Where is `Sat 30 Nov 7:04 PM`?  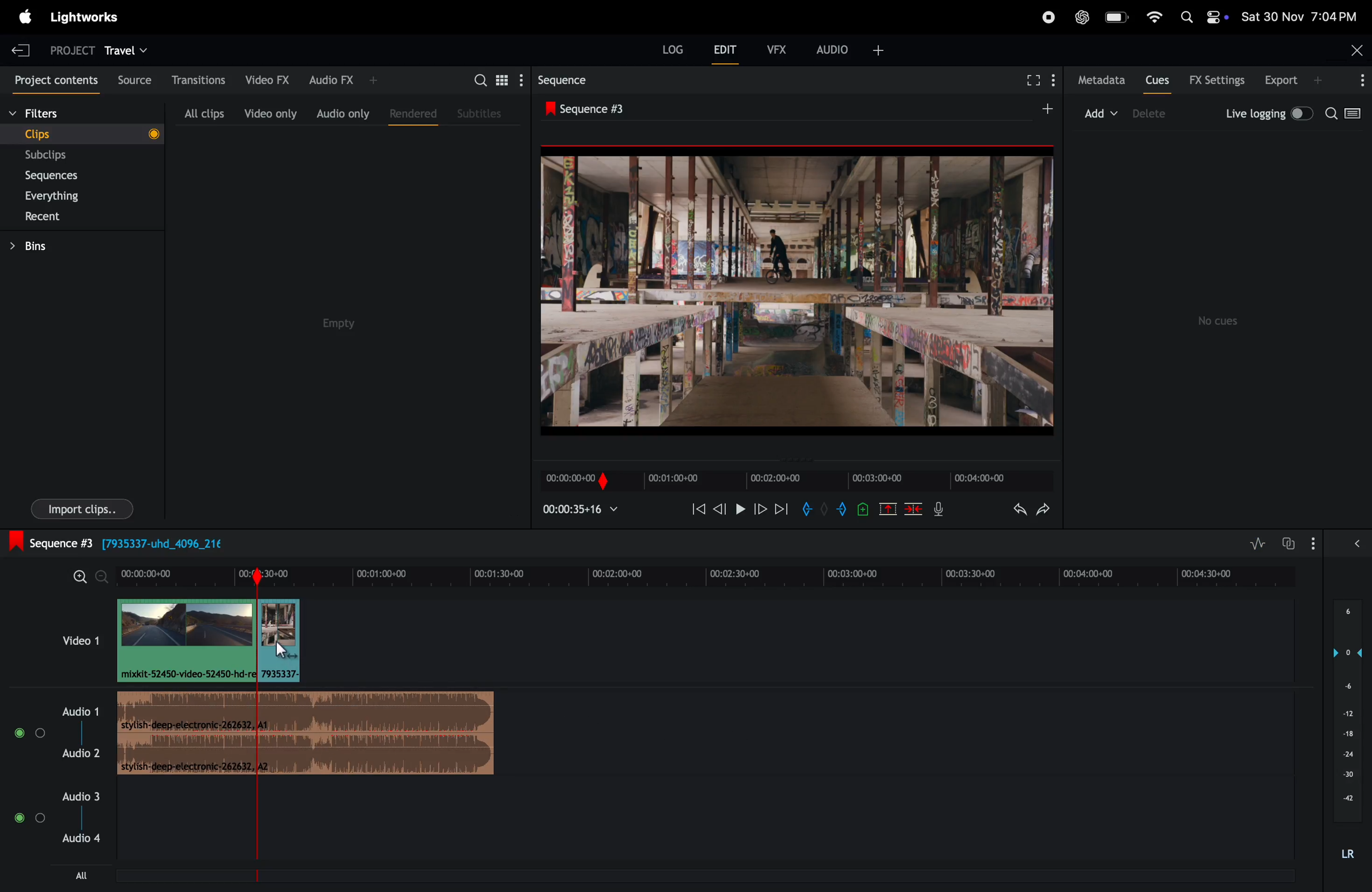
Sat 30 Nov 7:04 PM is located at coordinates (1305, 16).